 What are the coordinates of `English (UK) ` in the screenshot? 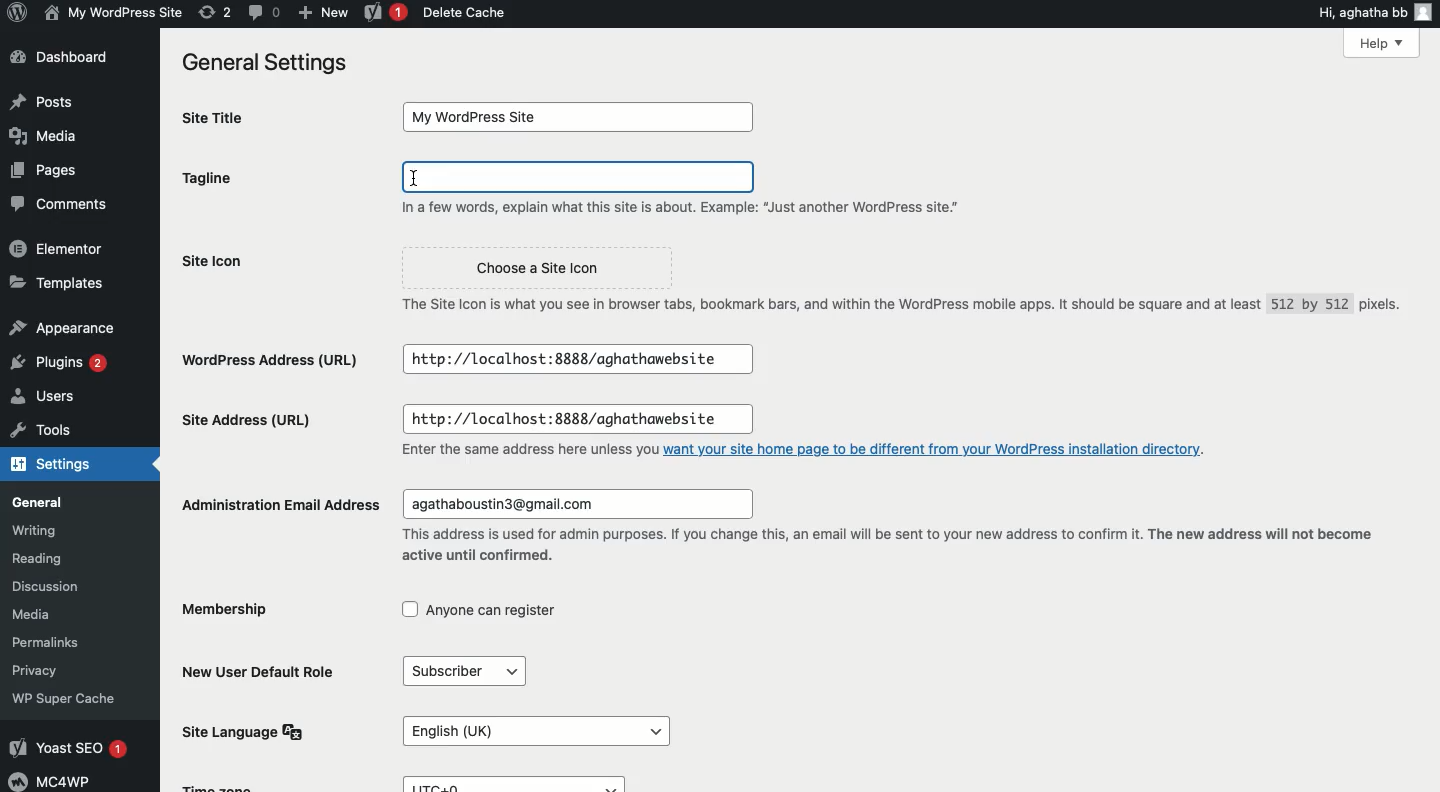 It's located at (531, 723).